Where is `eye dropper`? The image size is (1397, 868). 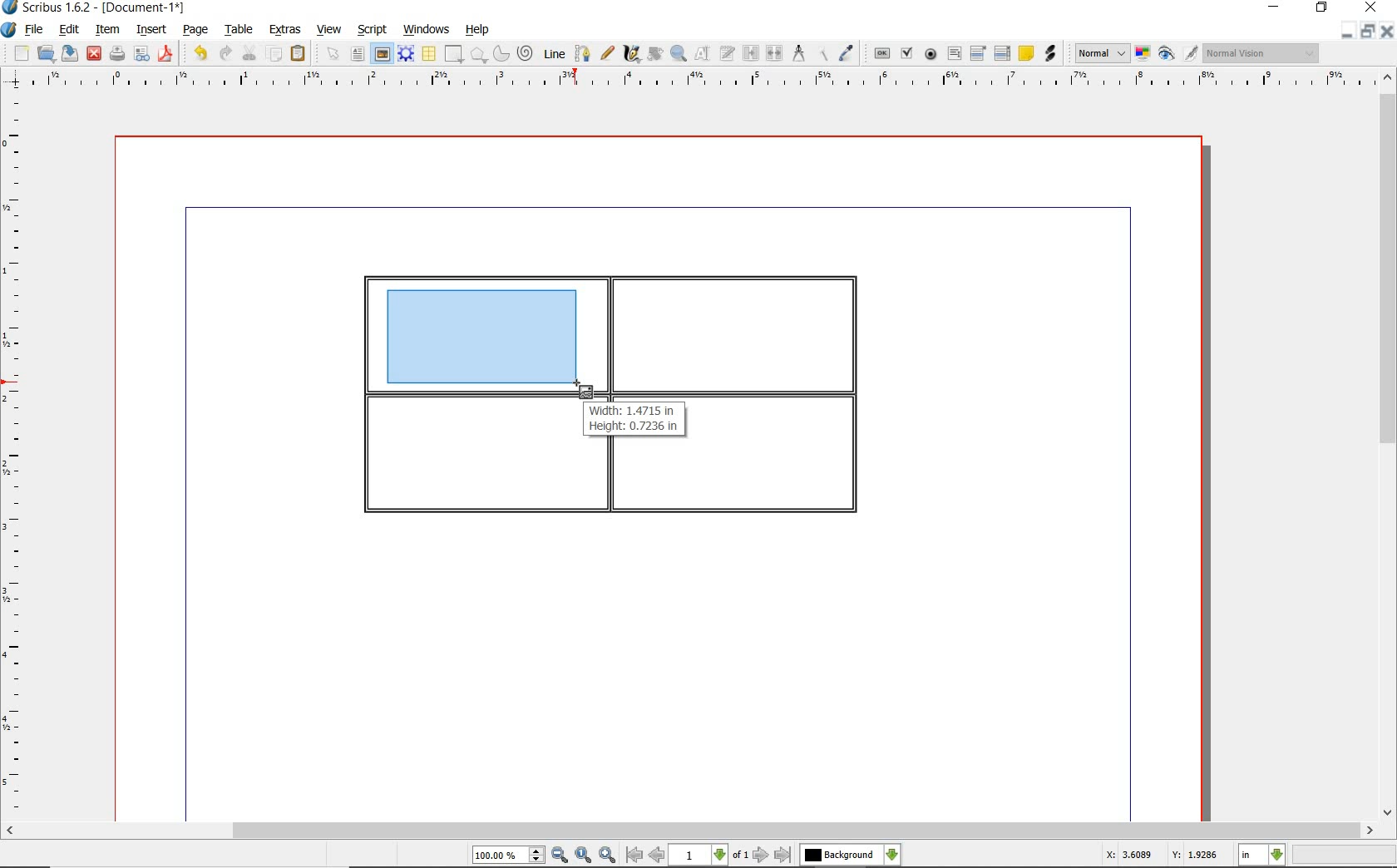
eye dropper is located at coordinates (847, 53).